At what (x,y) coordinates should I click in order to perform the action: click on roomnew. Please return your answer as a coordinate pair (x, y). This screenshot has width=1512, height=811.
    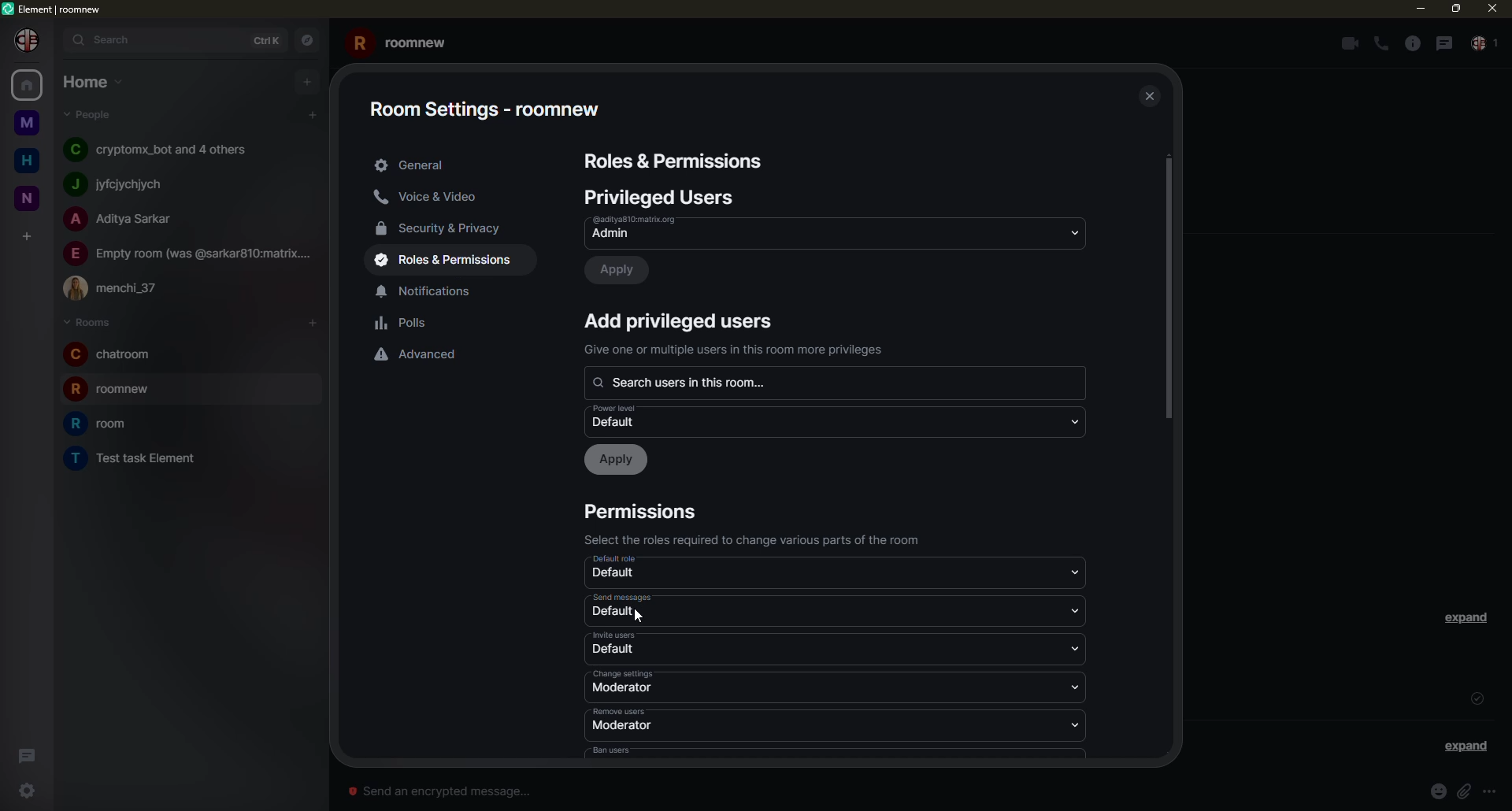
    Looking at the image, I should click on (403, 41).